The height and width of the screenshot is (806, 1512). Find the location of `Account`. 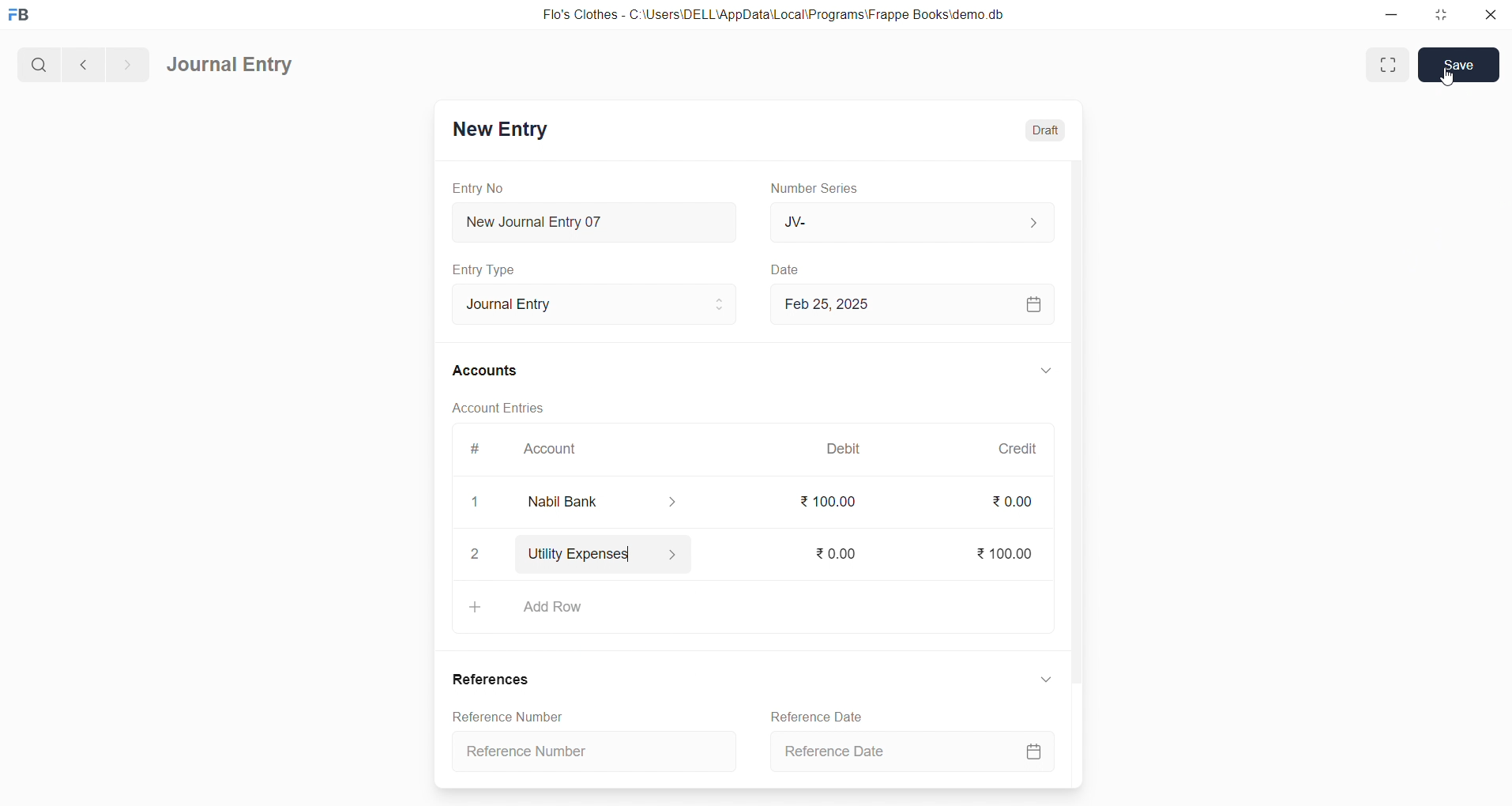

Account is located at coordinates (615, 502).